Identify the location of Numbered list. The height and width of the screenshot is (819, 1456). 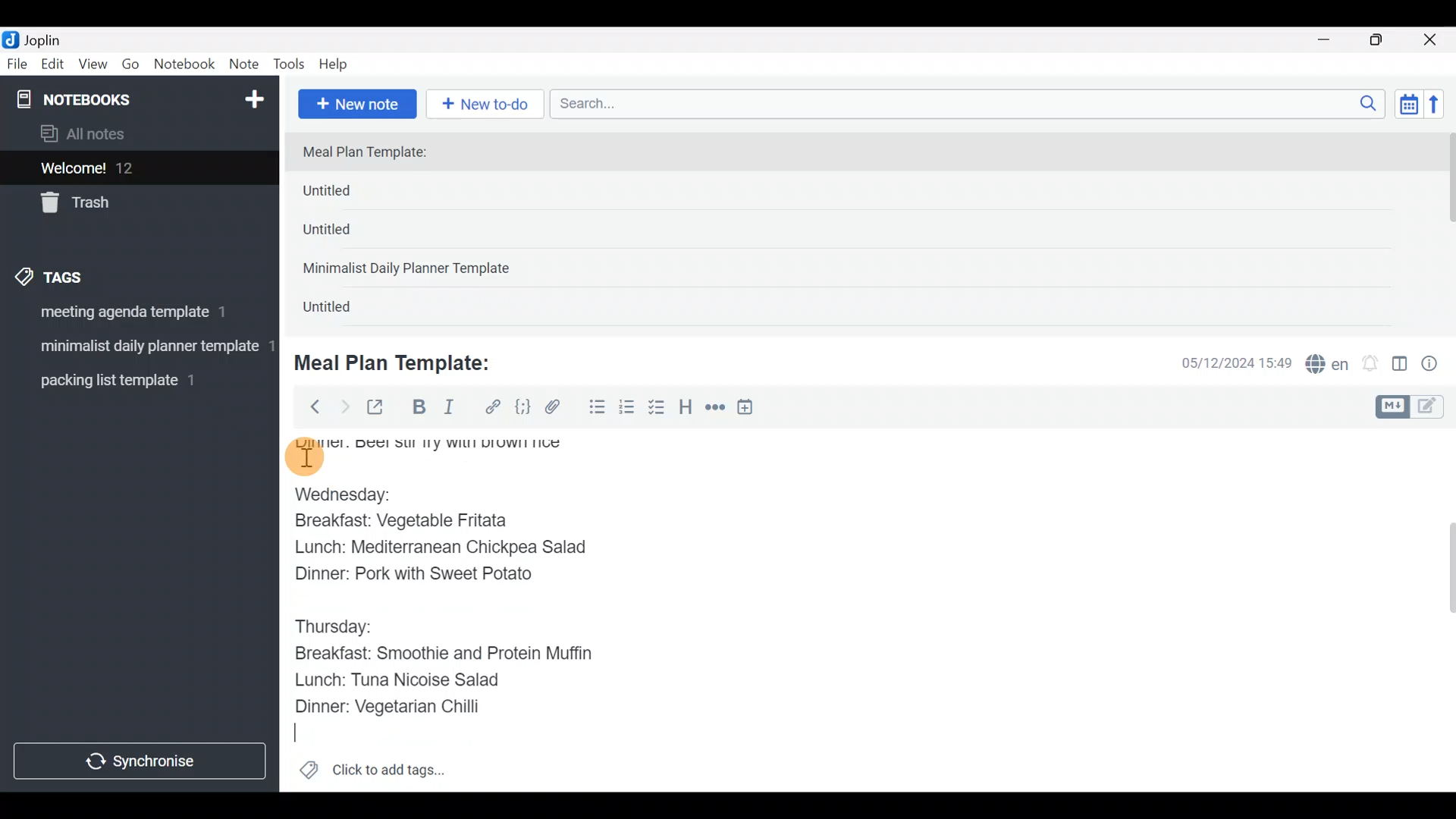
(627, 410).